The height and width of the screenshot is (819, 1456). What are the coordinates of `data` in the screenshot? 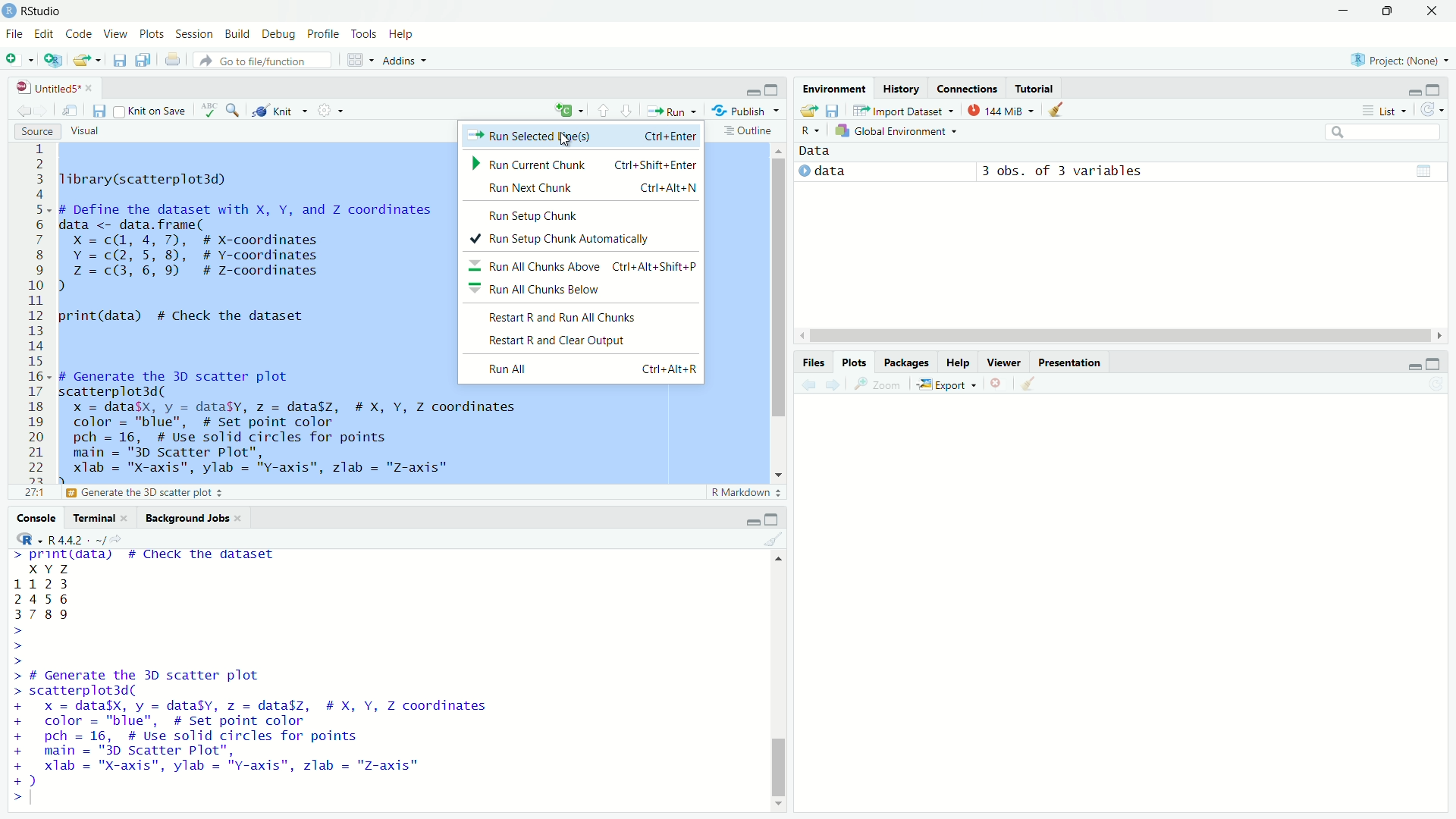 It's located at (834, 173).